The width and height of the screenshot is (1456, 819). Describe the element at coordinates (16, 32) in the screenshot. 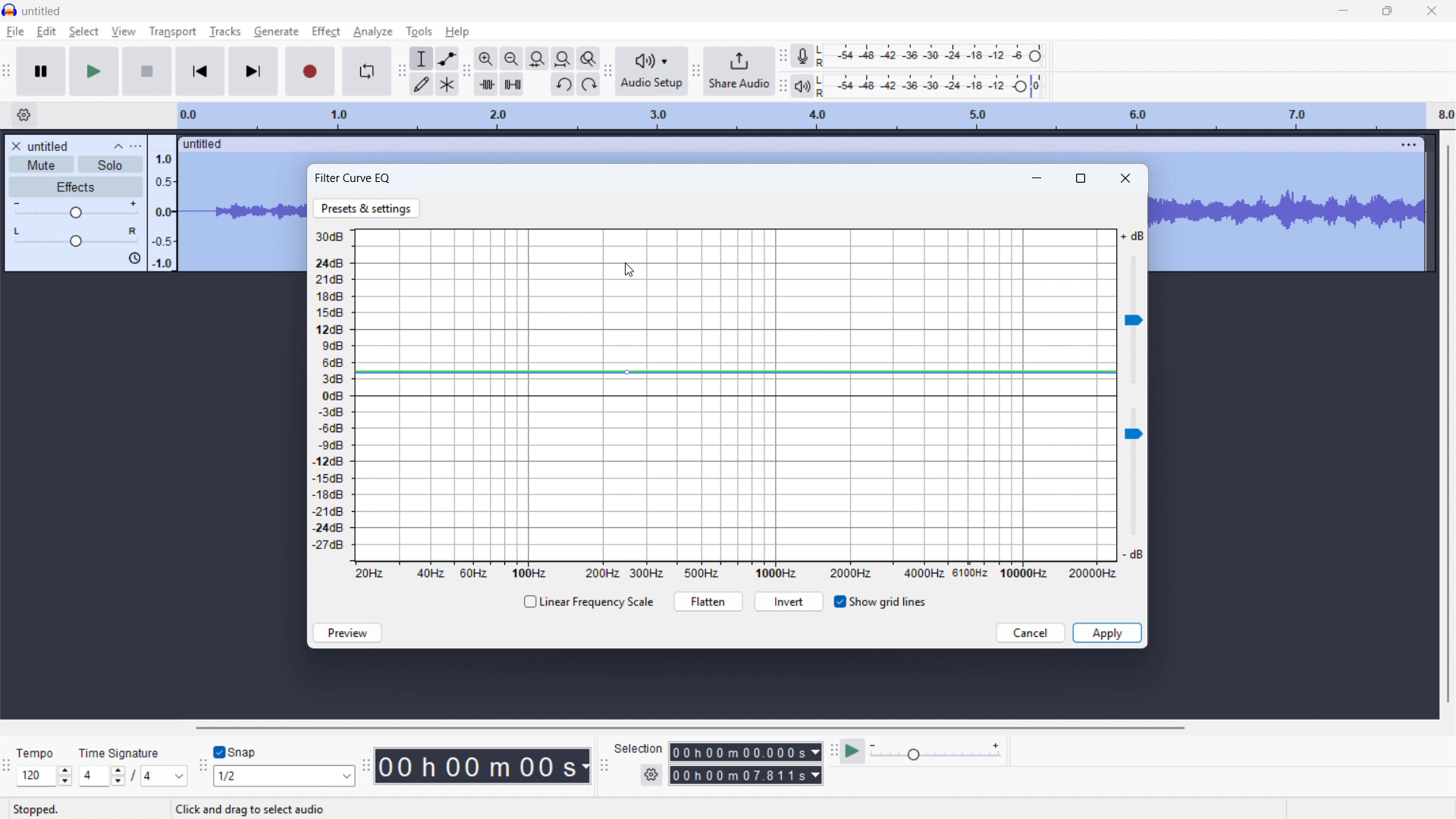

I see `file` at that location.